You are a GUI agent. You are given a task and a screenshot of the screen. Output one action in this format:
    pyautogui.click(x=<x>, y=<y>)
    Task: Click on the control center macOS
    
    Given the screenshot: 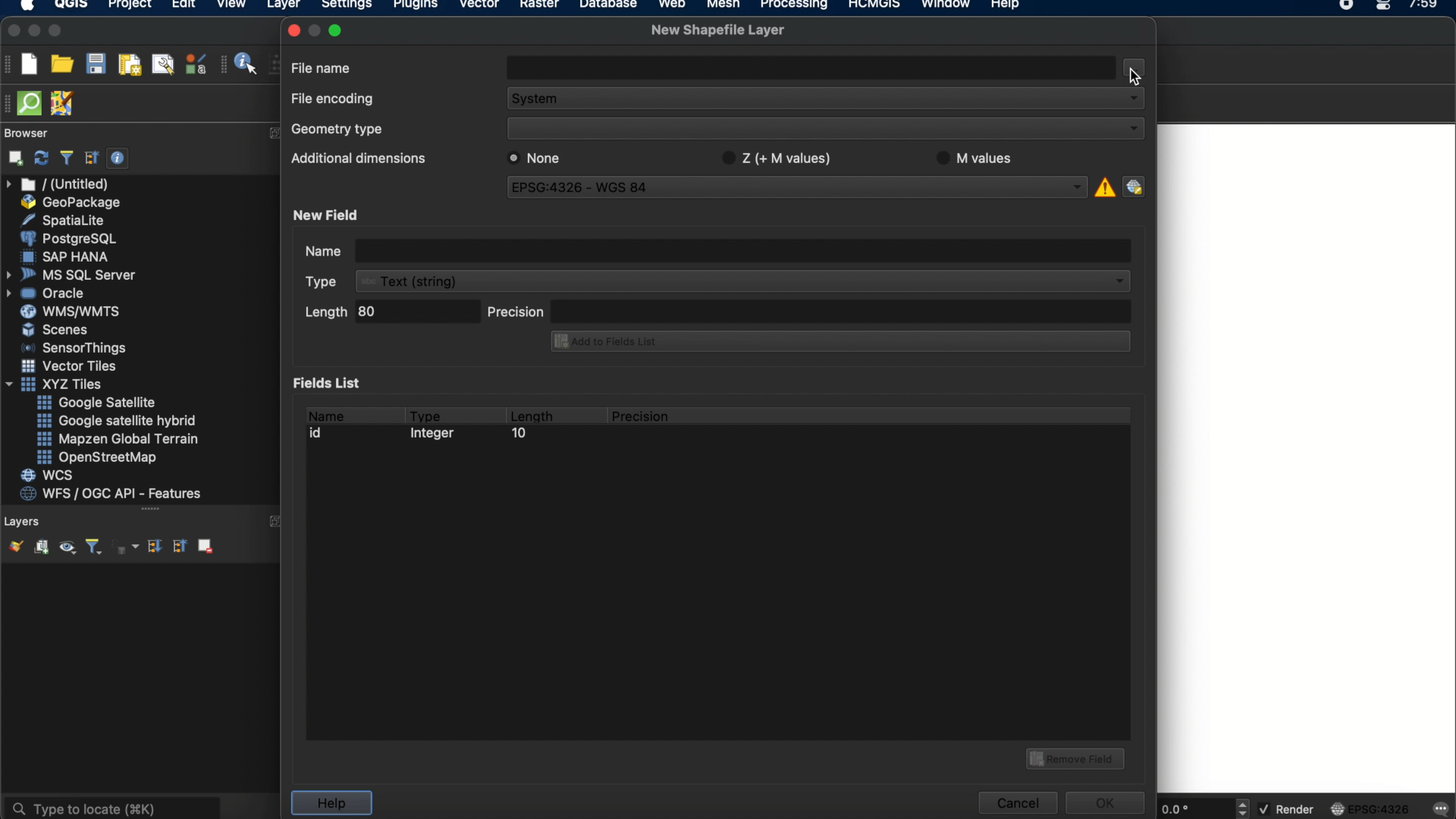 What is the action you would take?
    pyautogui.click(x=1382, y=7)
    